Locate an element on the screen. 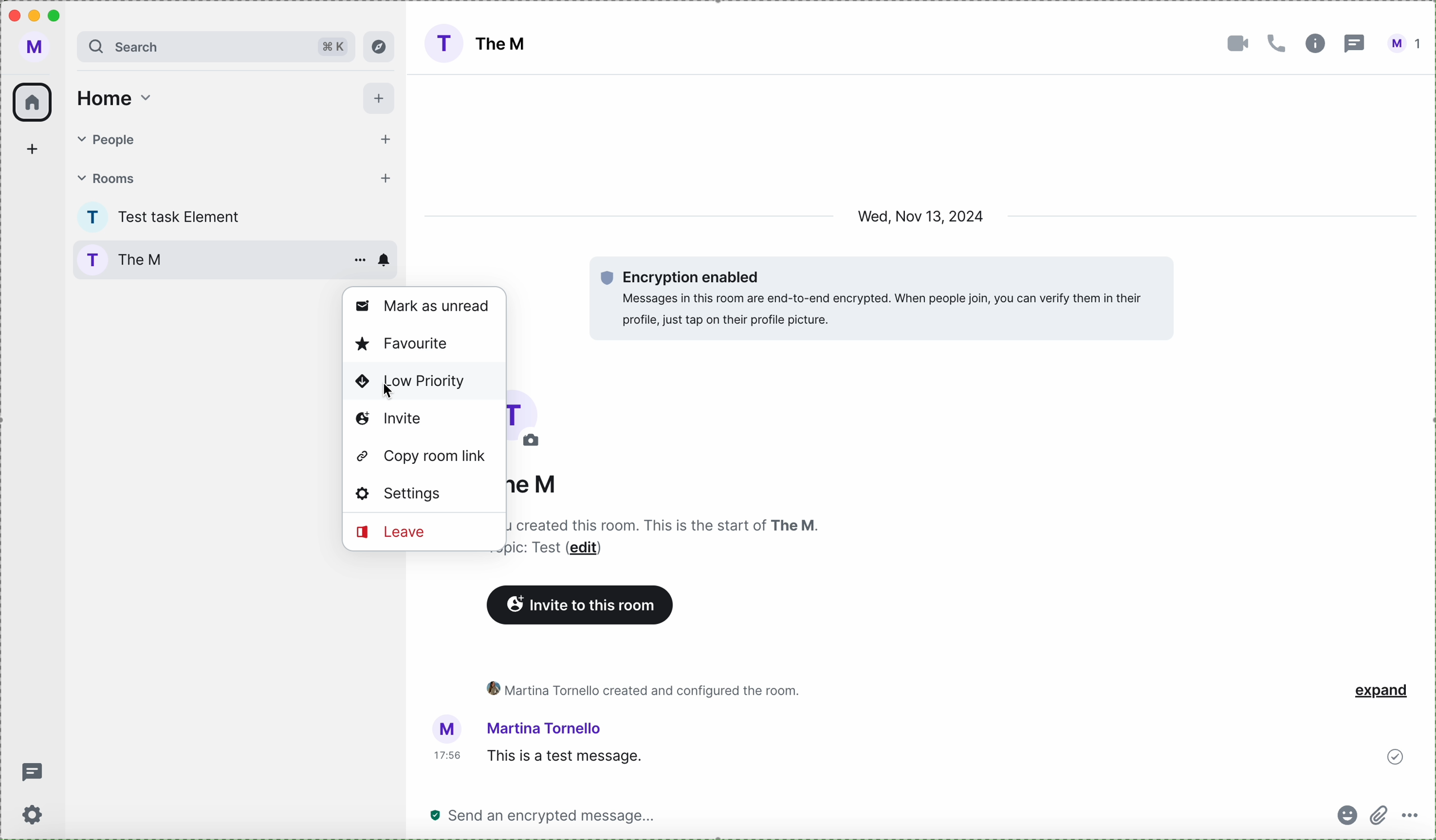 The width and height of the screenshot is (1436, 840). text is located at coordinates (525, 547).